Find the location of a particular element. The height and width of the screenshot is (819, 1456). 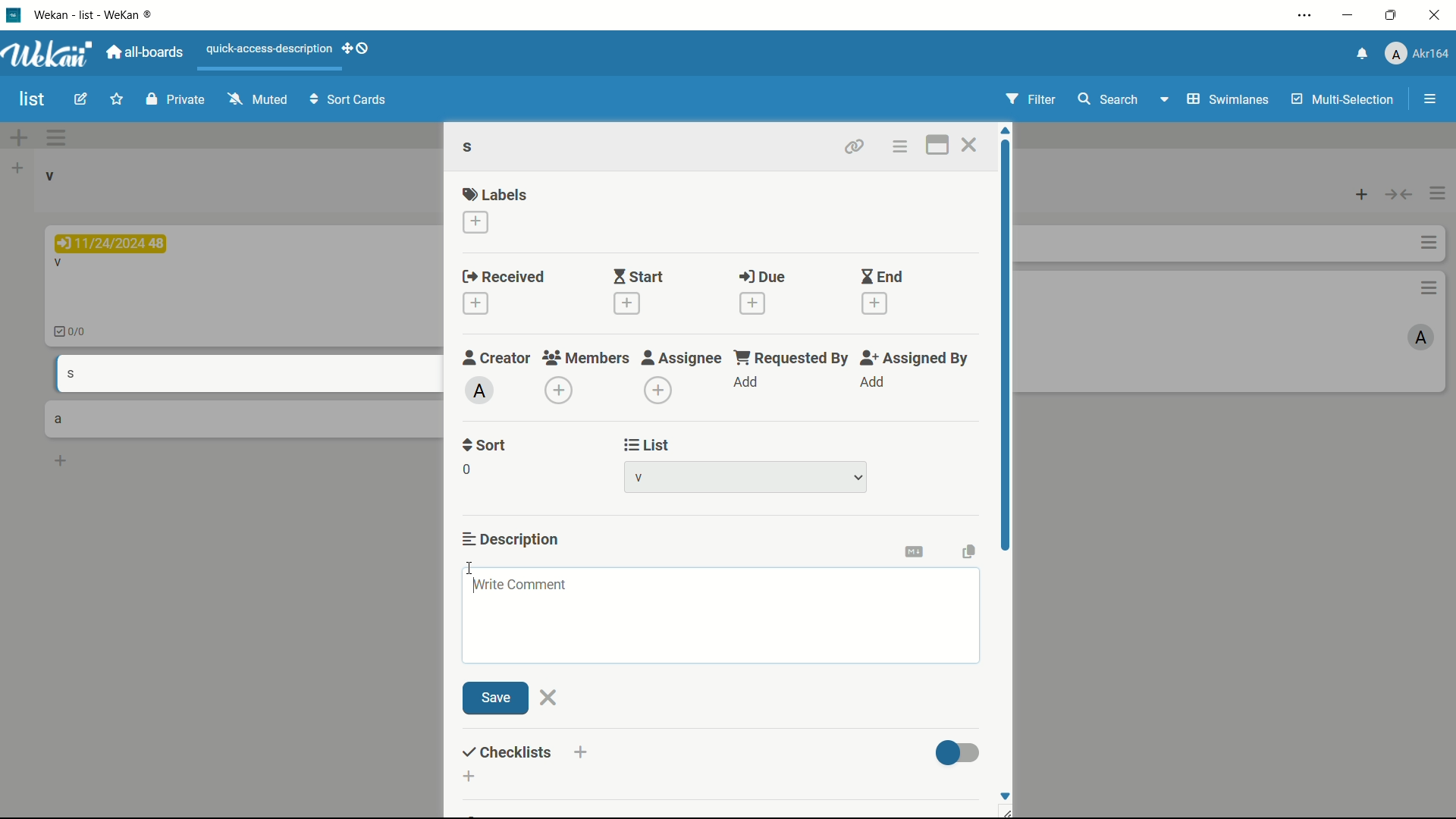

members is located at coordinates (585, 358).